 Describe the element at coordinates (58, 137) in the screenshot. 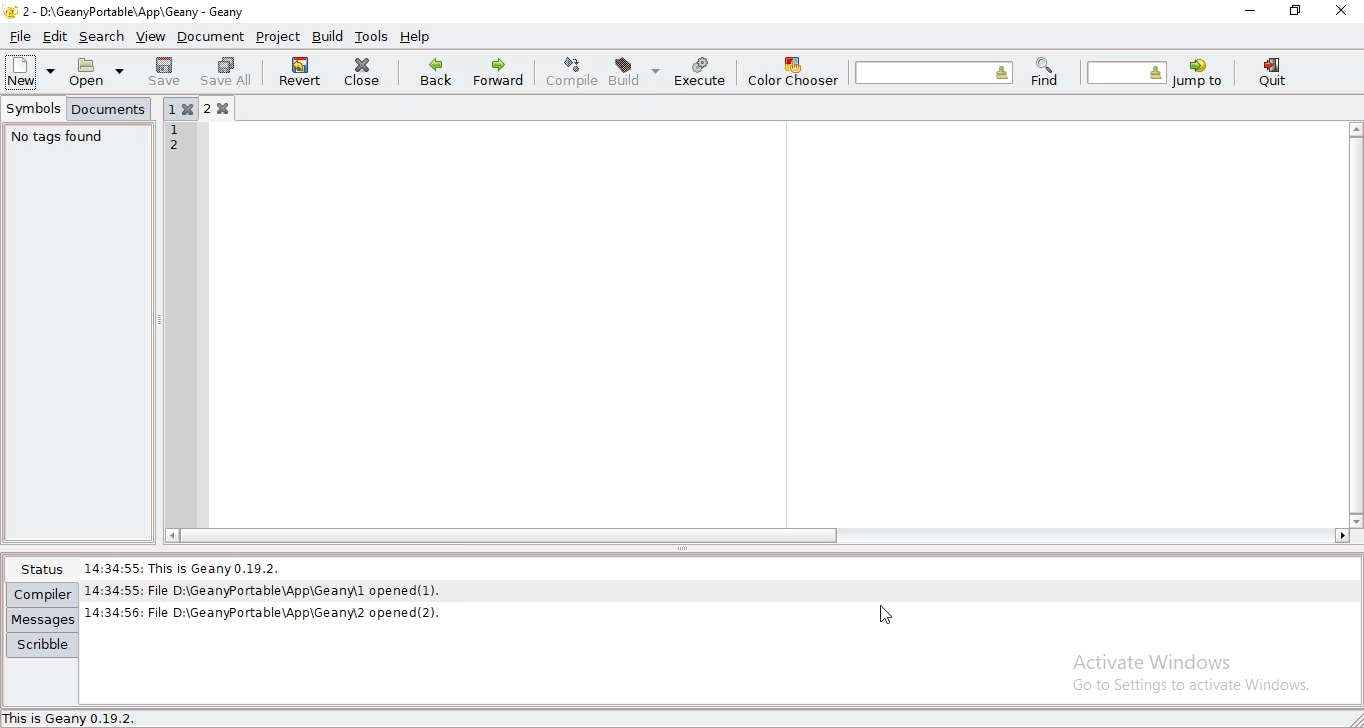

I see `no tags found` at that location.